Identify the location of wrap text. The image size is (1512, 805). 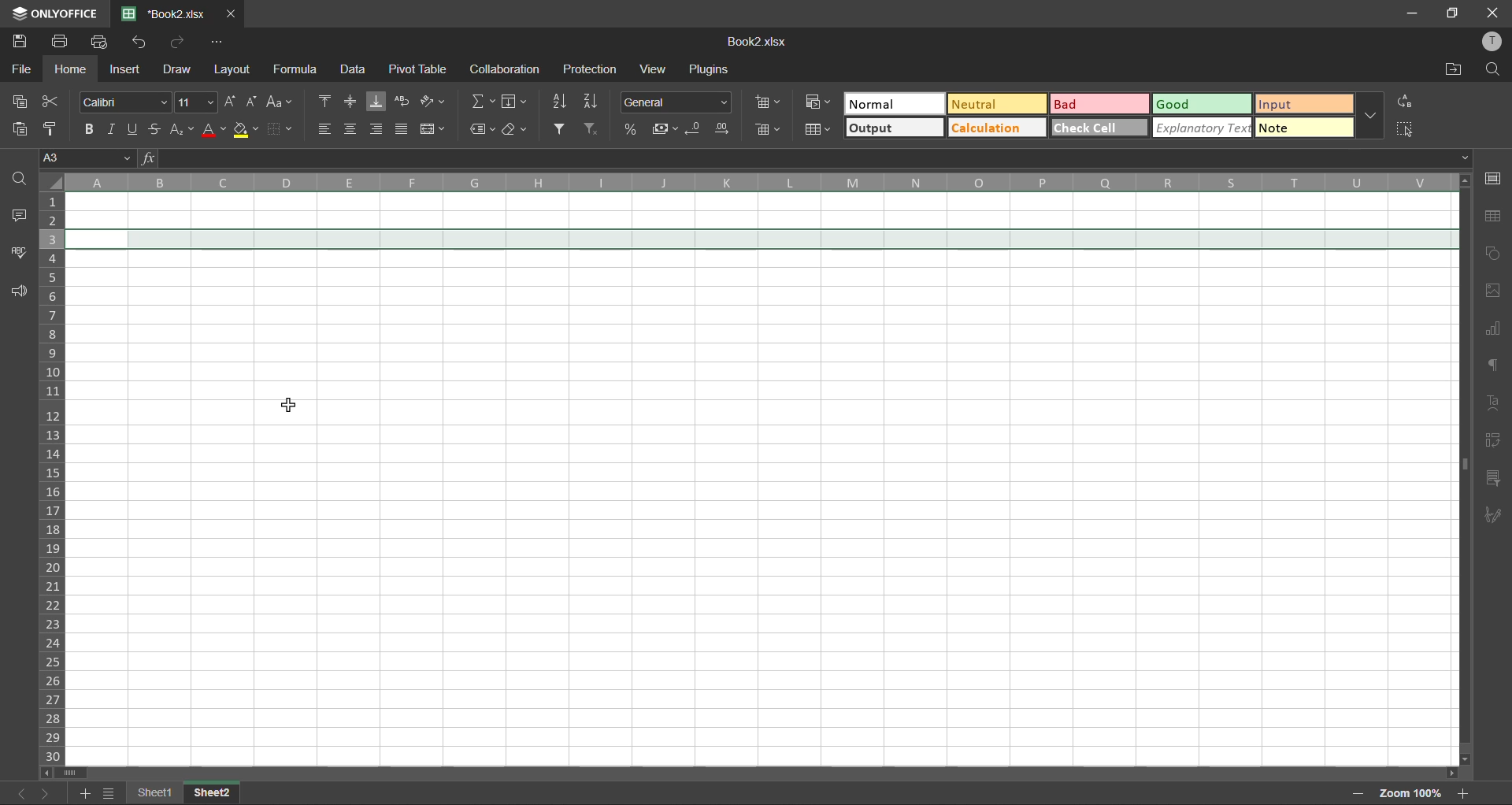
(404, 101).